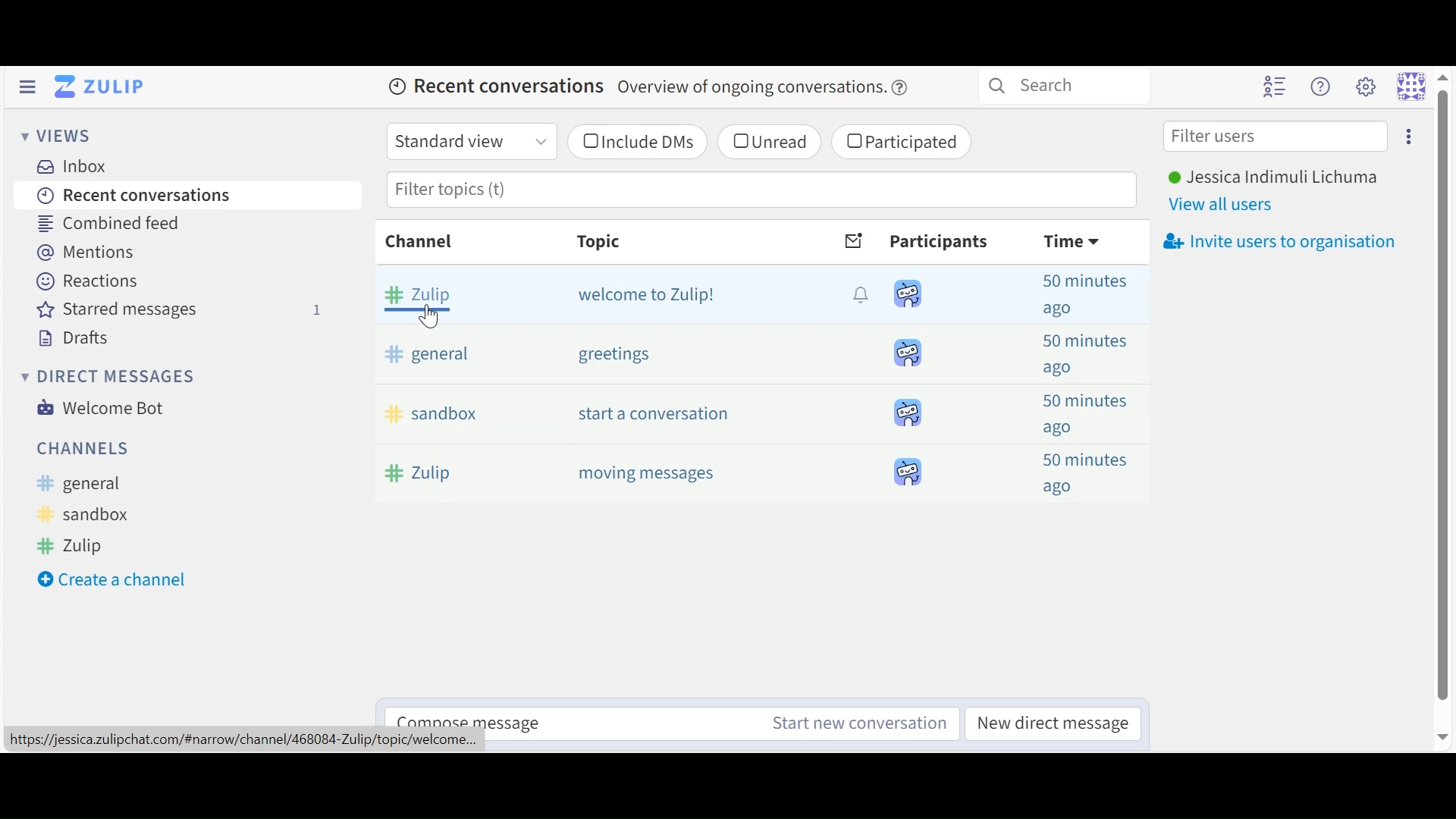 The width and height of the screenshot is (1456, 819). Describe the element at coordinates (99, 86) in the screenshot. I see `Go to Home (Imbox)` at that location.